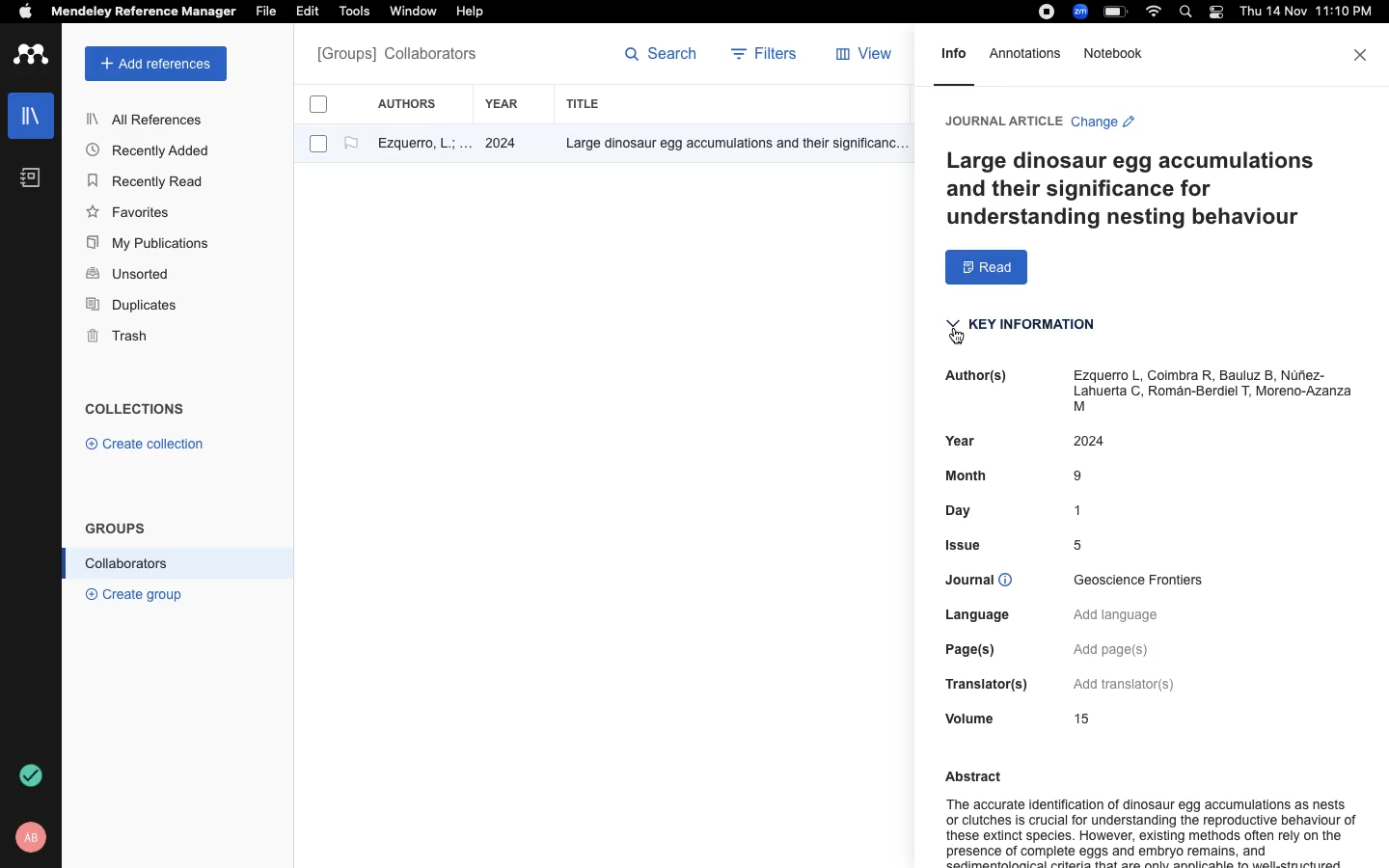  Describe the element at coordinates (468, 13) in the screenshot. I see `Help` at that location.